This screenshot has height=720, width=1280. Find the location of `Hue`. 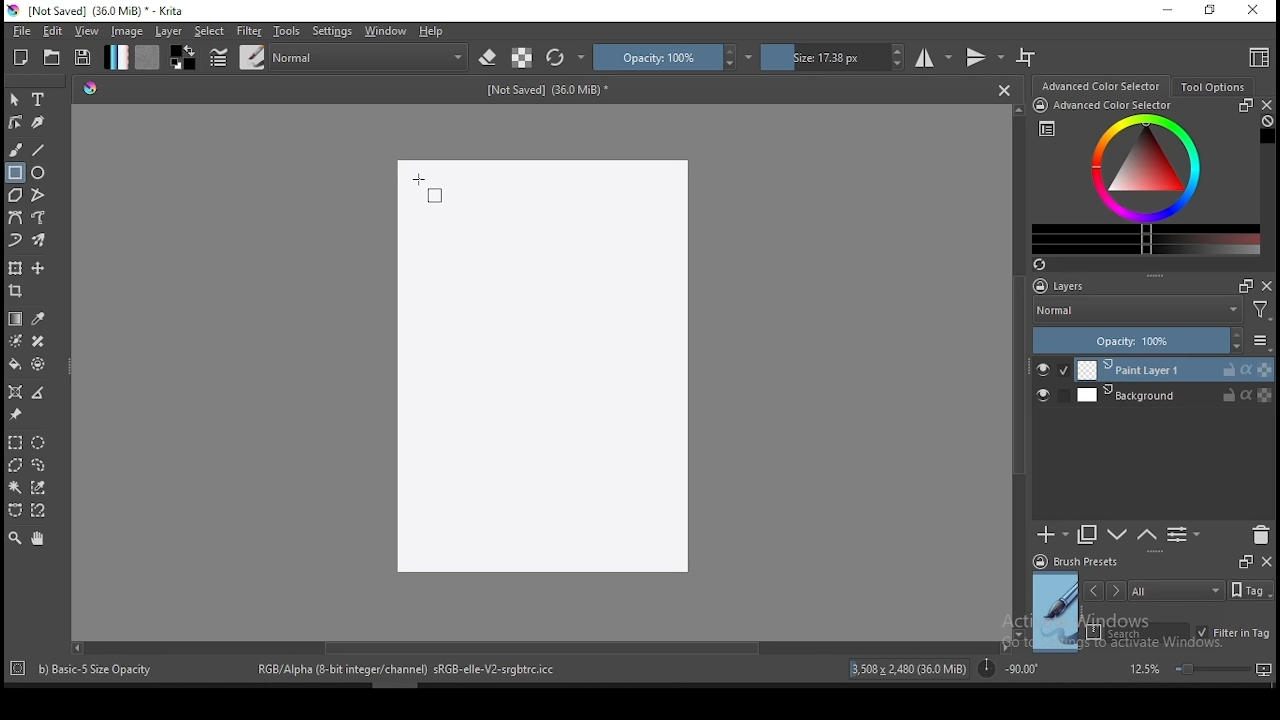

Hue is located at coordinates (90, 88).